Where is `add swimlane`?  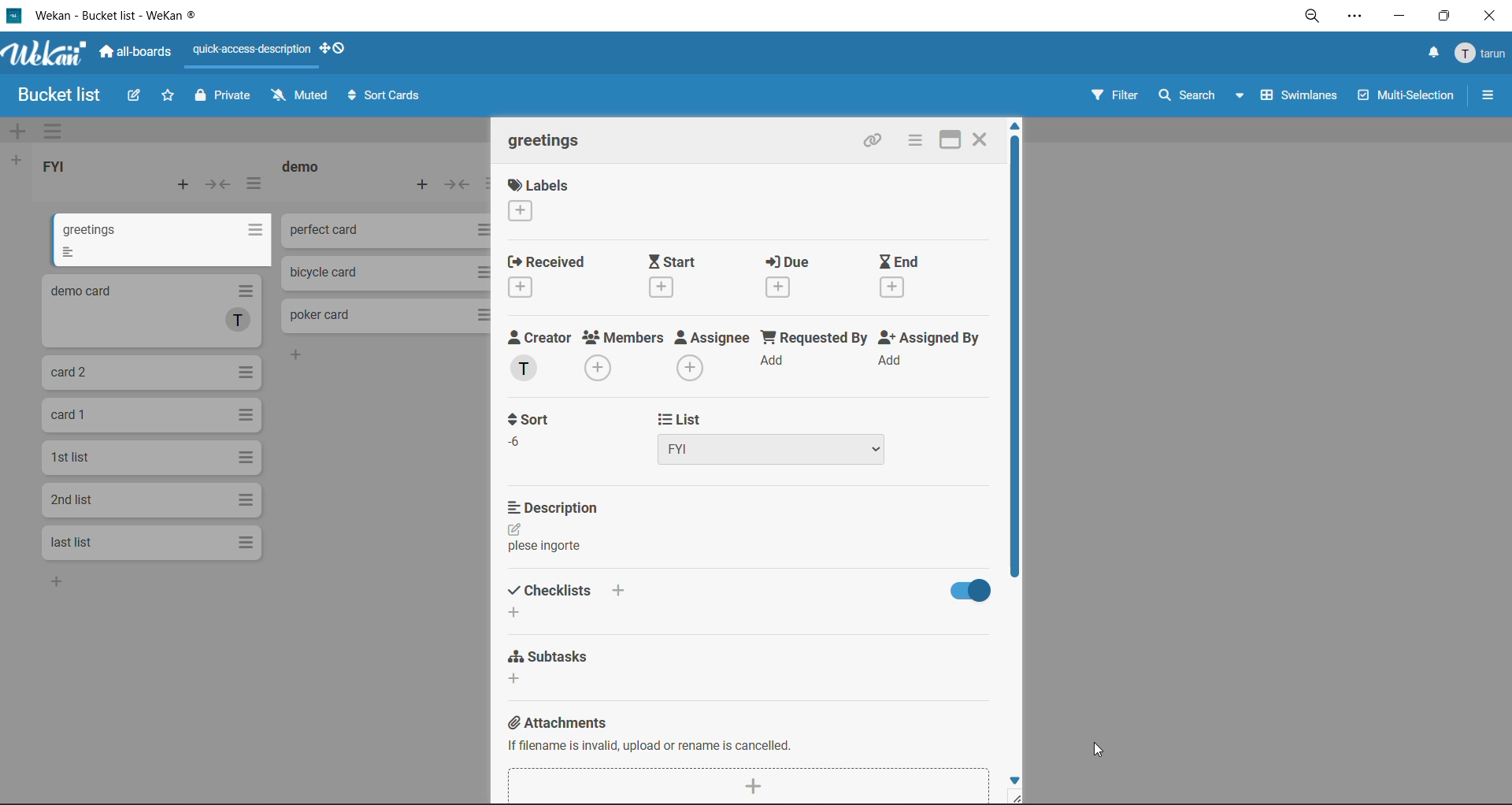 add swimlane is located at coordinates (18, 129).